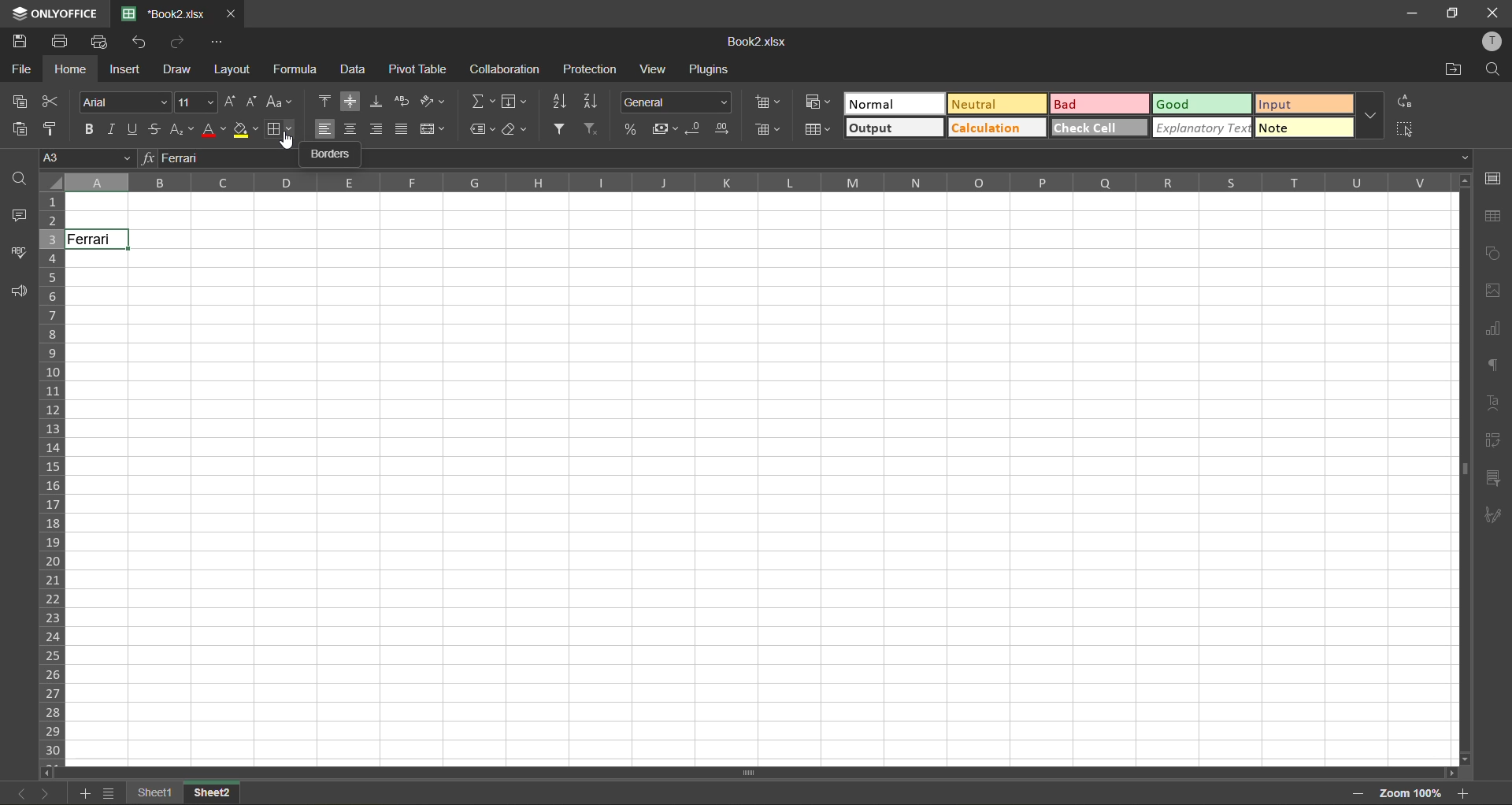 The width and height of the screenshot is (1512, 805). I want to click on increment size, so click(232, 101).